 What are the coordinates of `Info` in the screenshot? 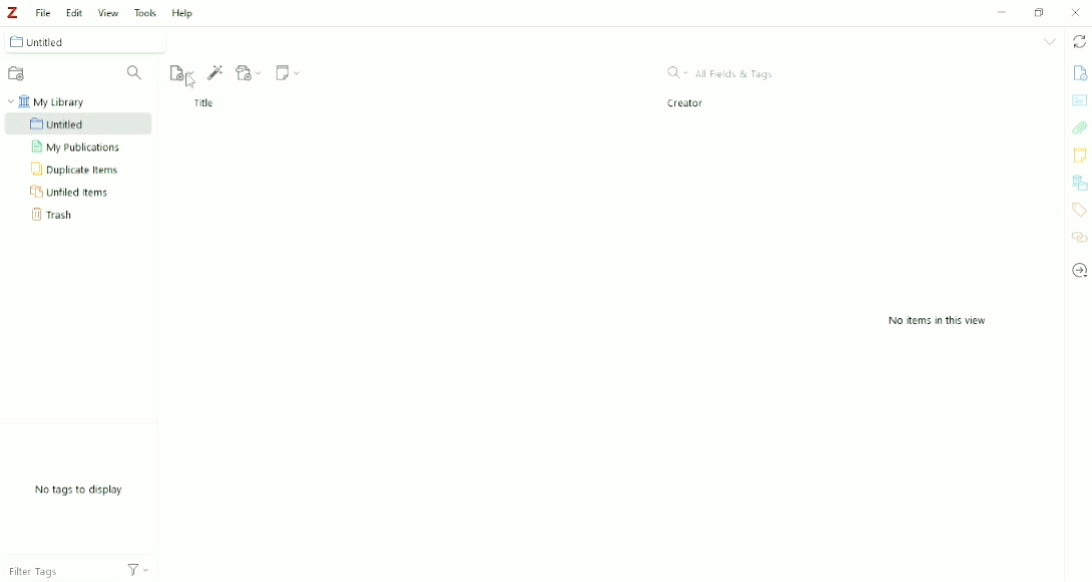 It's located at (1080, 73).